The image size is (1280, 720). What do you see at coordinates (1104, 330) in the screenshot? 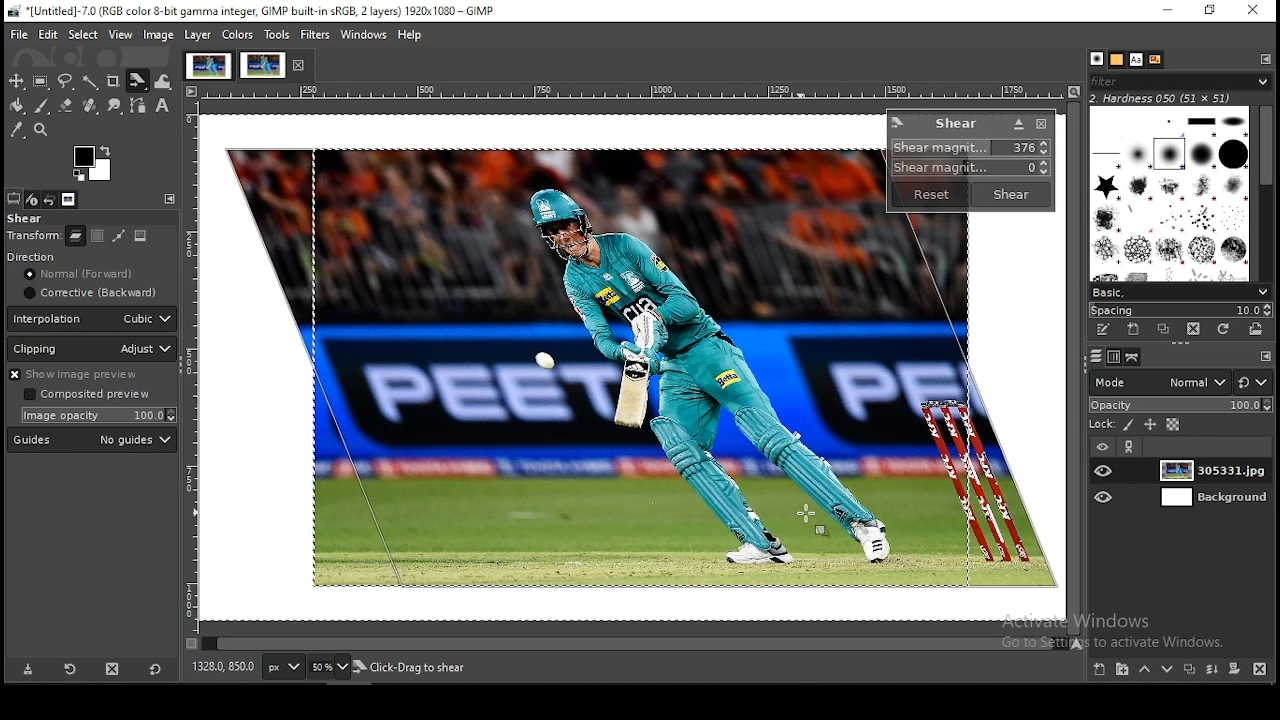
I see `edit this brush` at bounding box center [1104, 330].